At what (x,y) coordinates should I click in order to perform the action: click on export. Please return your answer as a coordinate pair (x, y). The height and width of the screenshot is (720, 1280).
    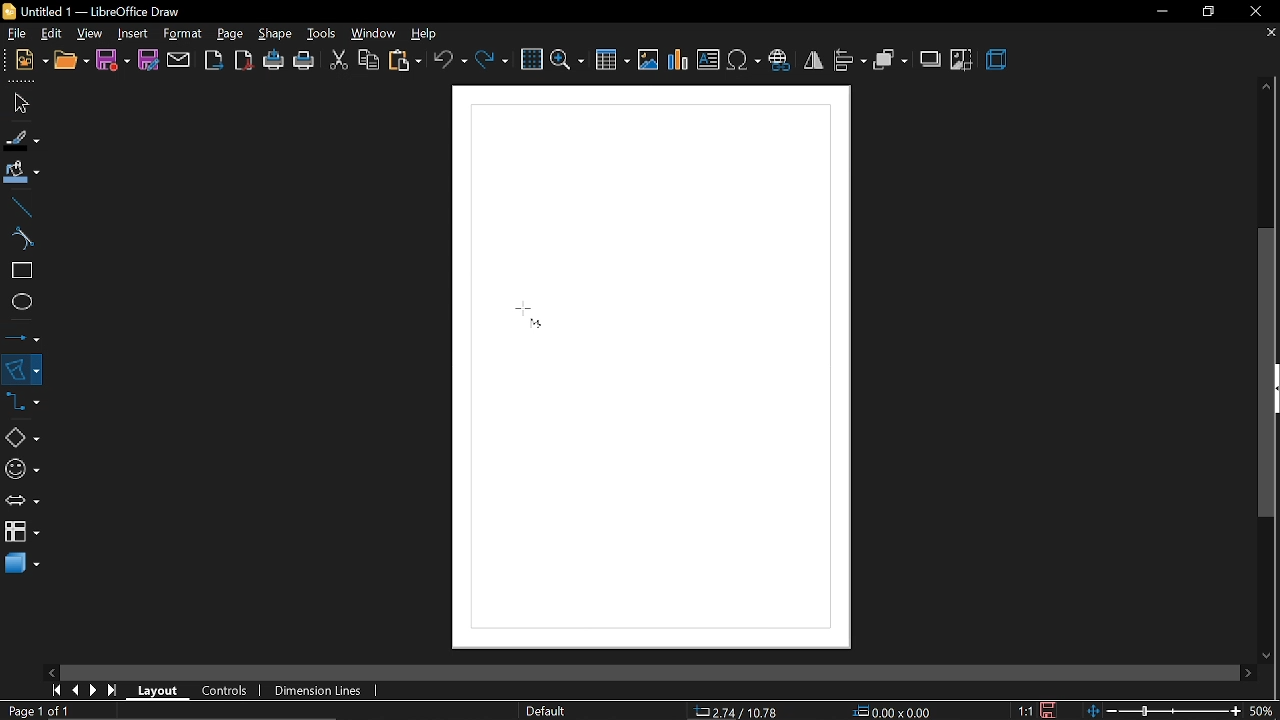
    Looking at the image, I should click on (213, 59).